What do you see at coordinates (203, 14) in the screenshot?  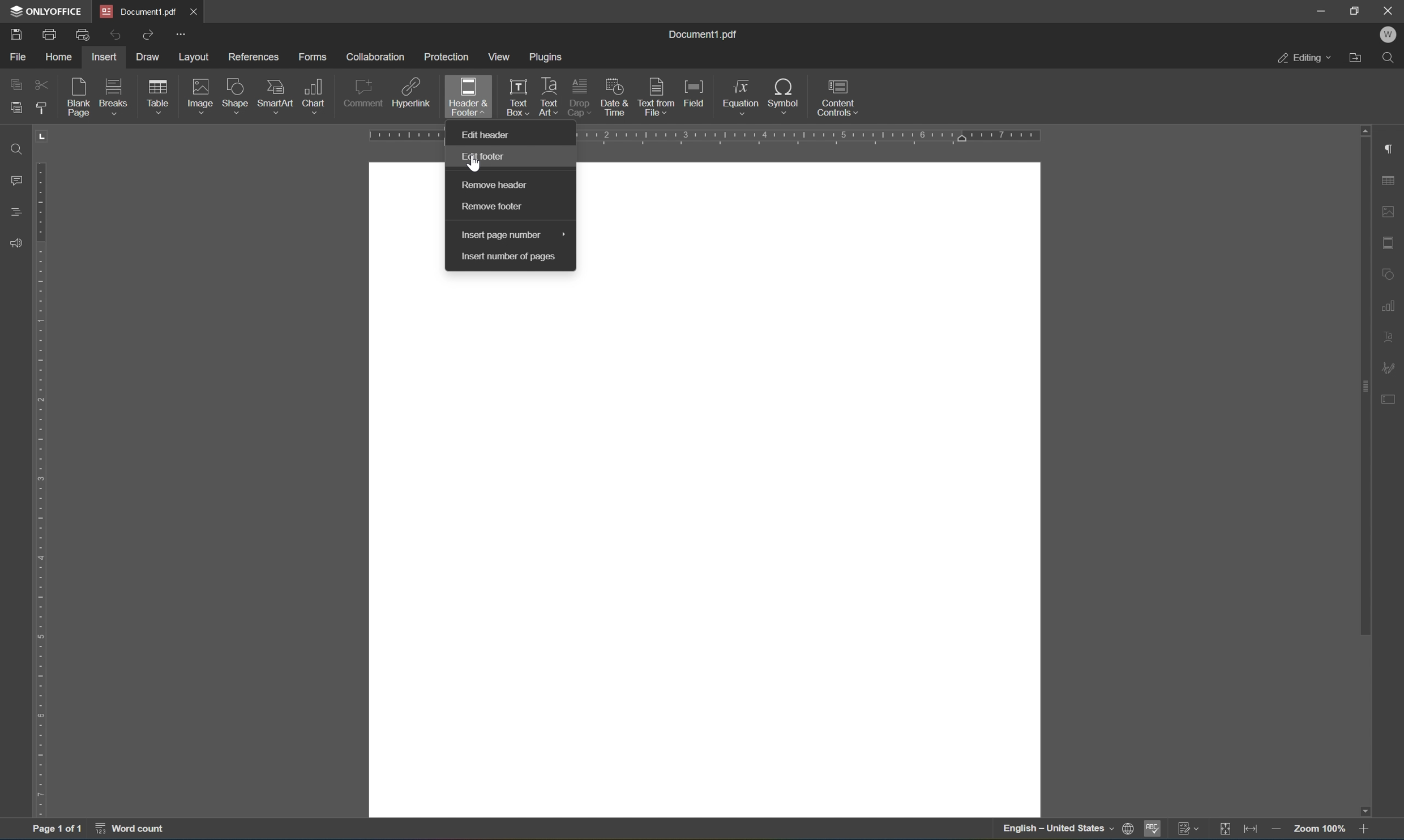 I see `close` at bounding box center [203, 14].